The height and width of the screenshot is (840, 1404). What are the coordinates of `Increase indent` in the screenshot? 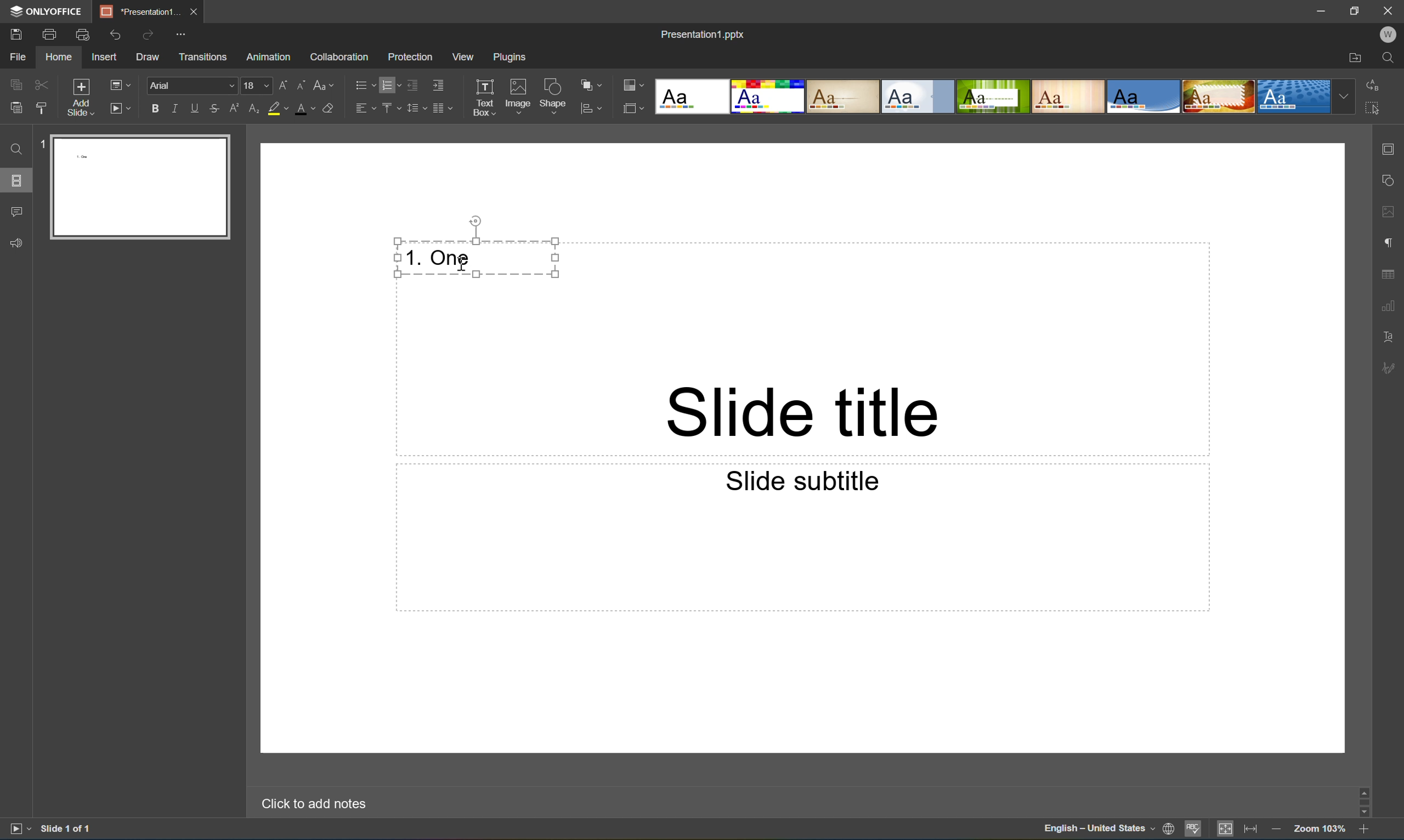 It's located at (438, 86).